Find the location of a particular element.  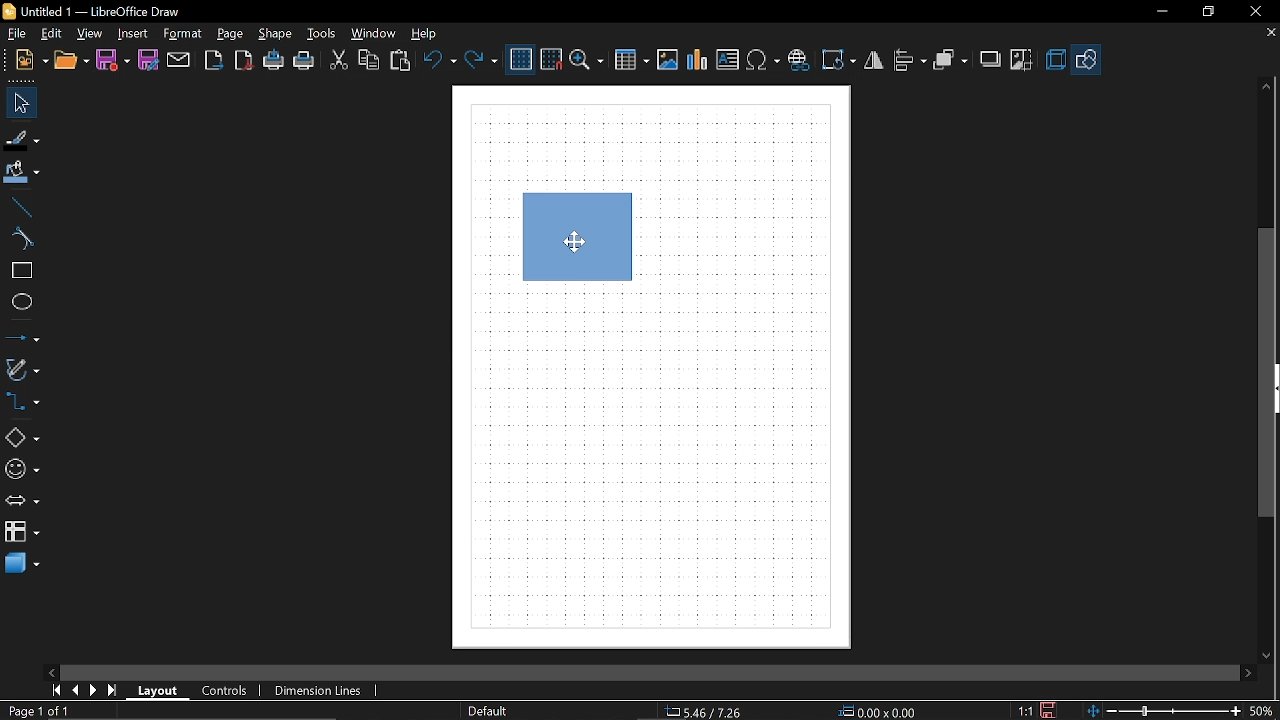

Page is located at coordinates (233, 34).